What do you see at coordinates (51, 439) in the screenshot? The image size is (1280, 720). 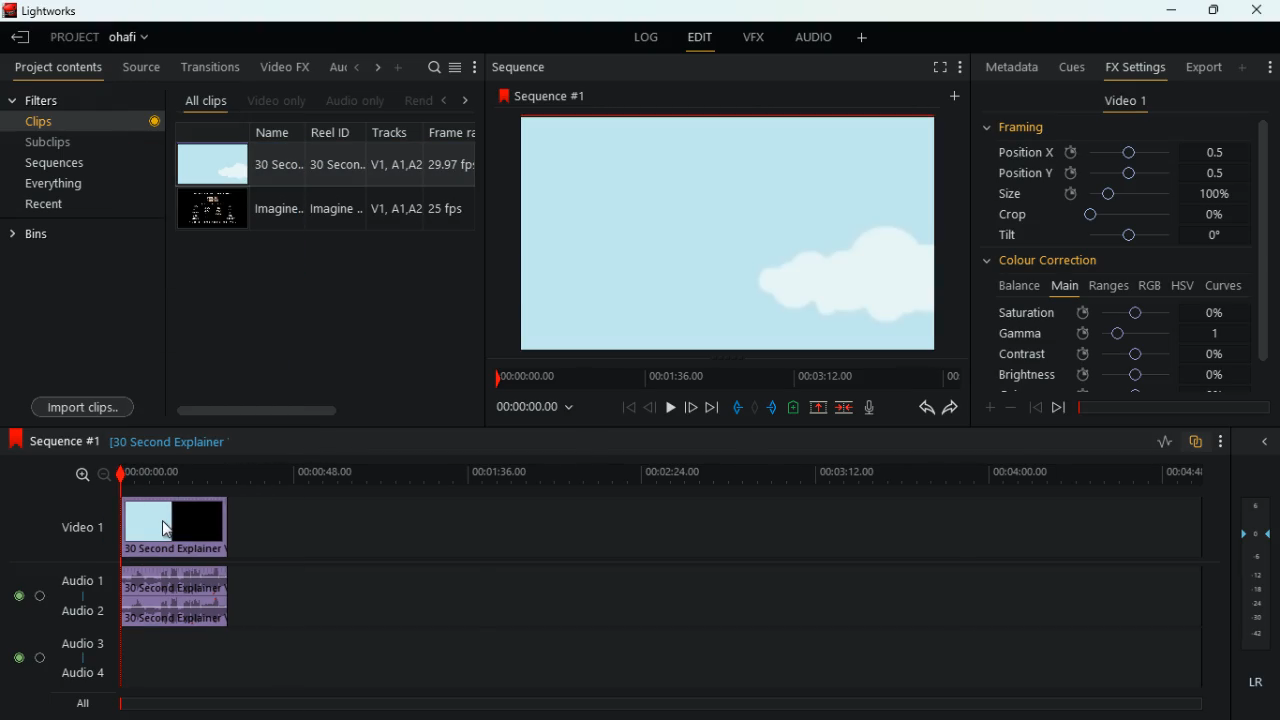 I see `sequence` at bounding box center [51, 439].